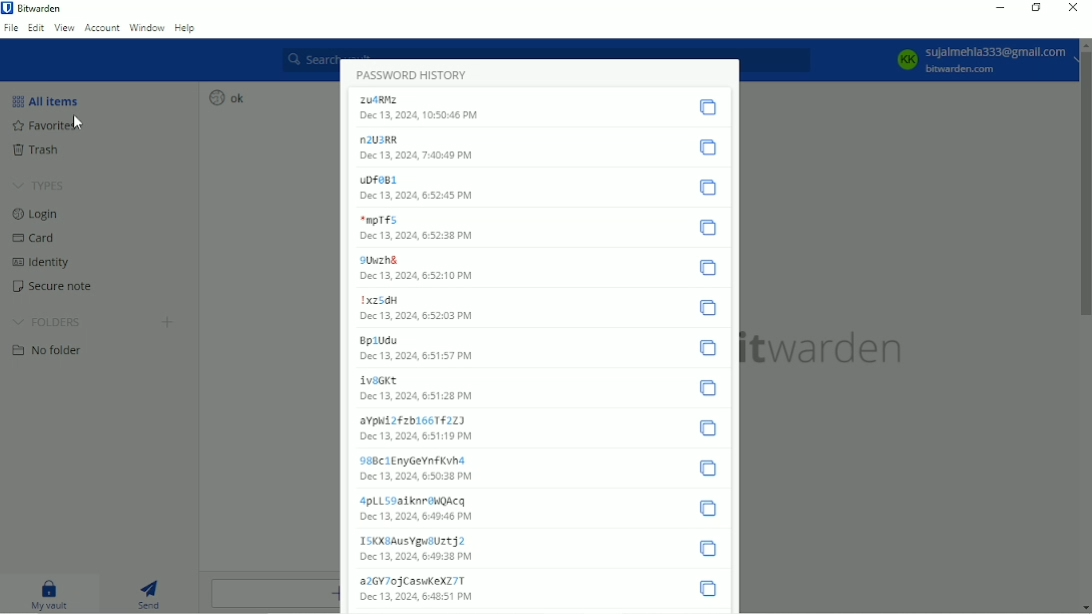 Image resolution: width=1092 pixels, height=614 pixels. Describe the element at coordinates (227, 97) in the screenshot. I see `ok` at that location.